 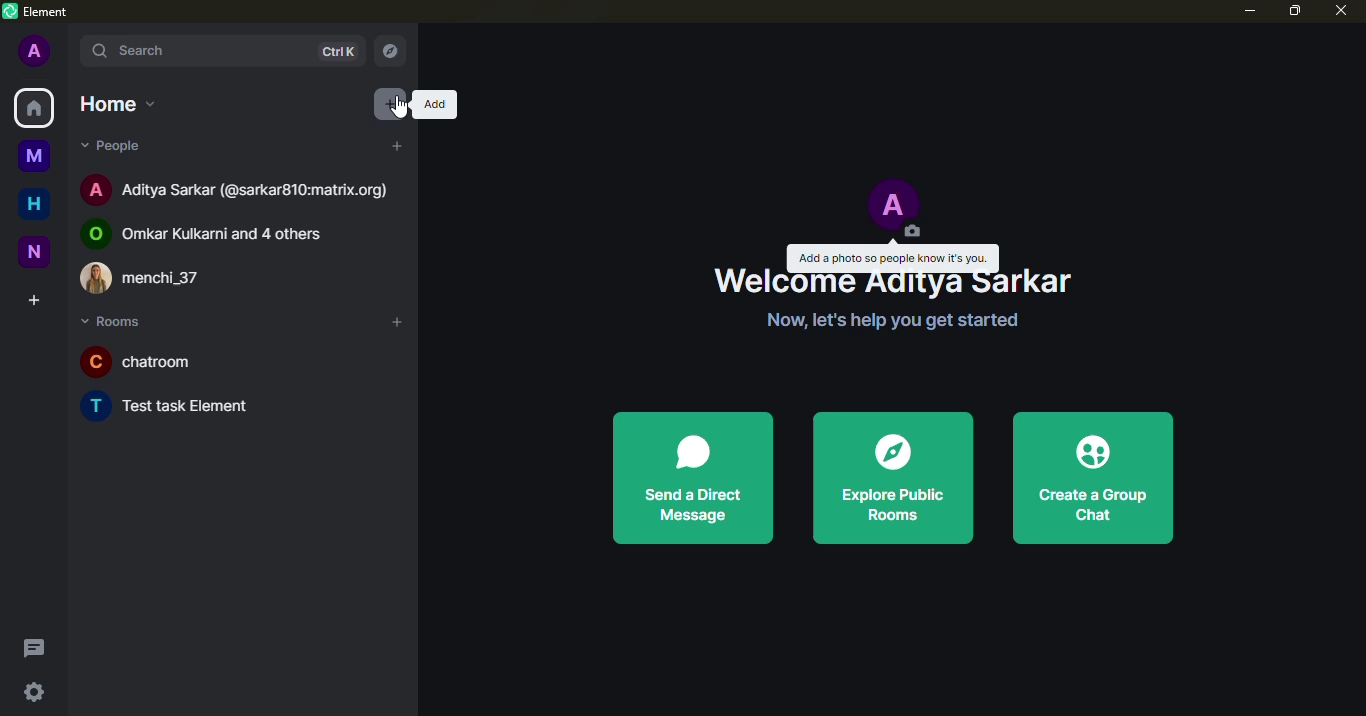 I want to click on explore rooms, so click(x=390, y=50).